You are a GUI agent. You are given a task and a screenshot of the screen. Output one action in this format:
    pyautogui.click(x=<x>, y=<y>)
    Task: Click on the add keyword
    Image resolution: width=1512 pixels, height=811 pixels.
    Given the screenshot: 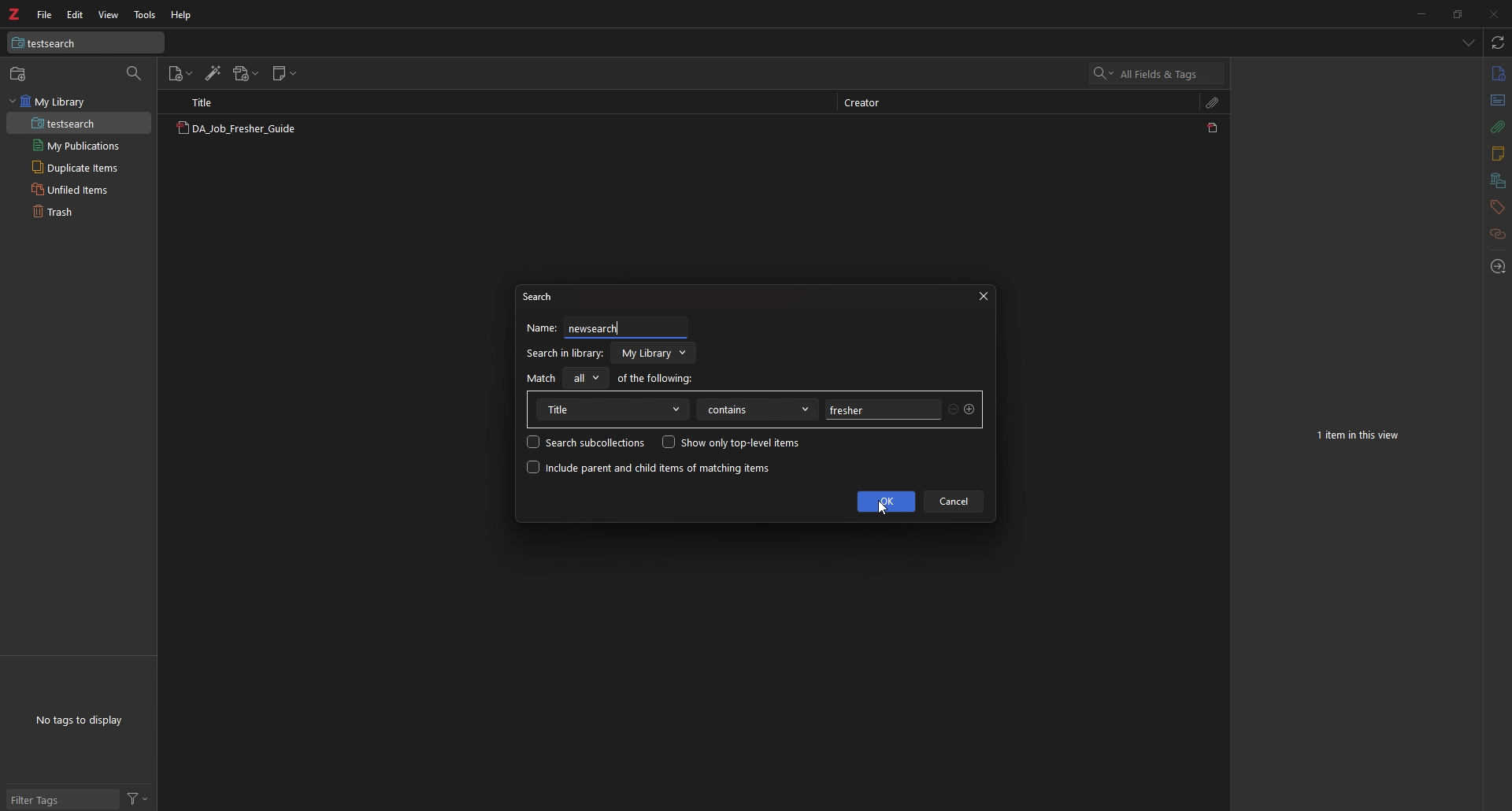 What is the action you would take?
    pyautogui.click(x=970, y=409)
    